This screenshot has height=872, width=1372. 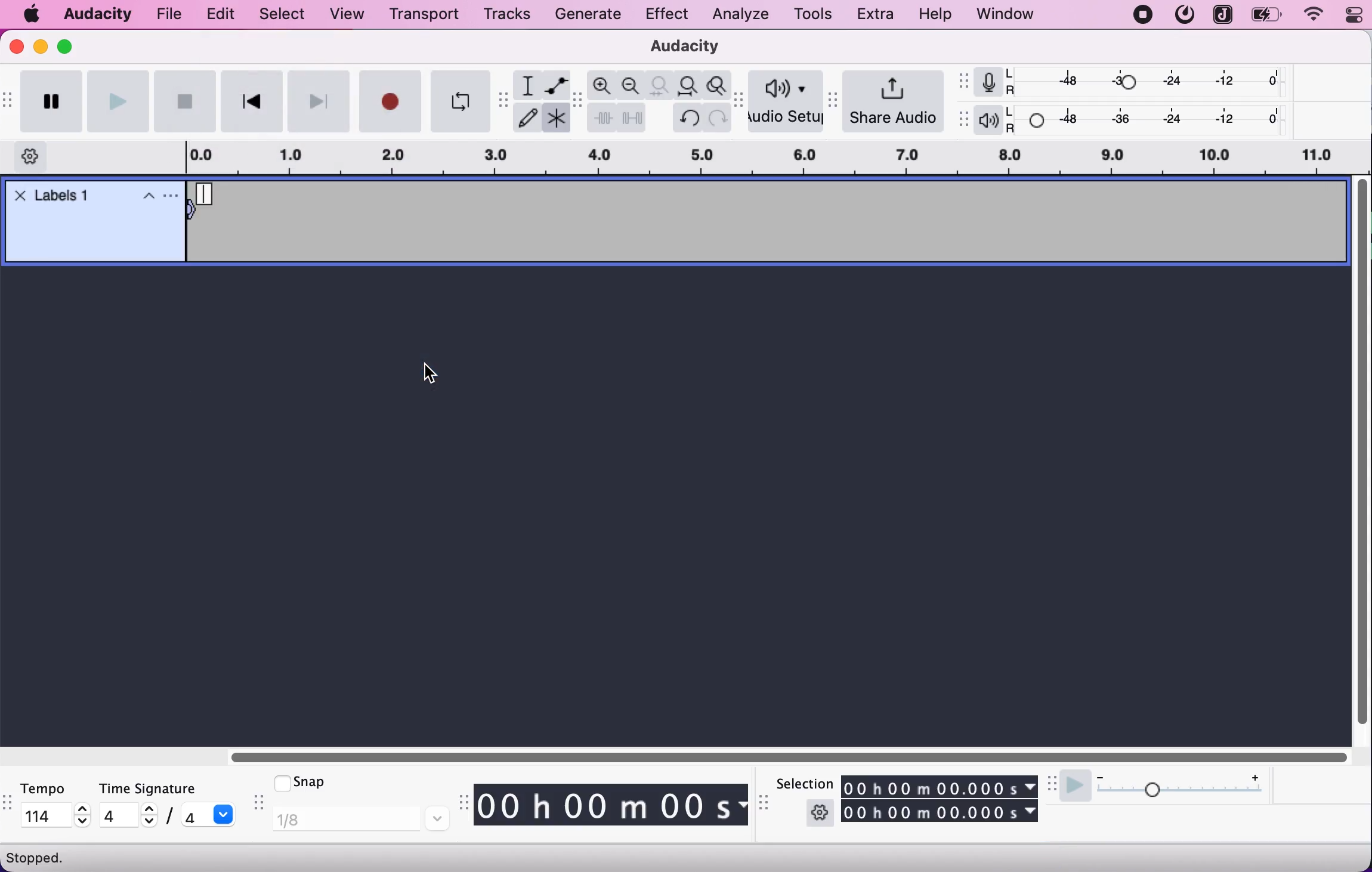 What do you see at coordinates (787, 103) in the screenshot?
I see `audio setup` at bounding box center [787, 103].